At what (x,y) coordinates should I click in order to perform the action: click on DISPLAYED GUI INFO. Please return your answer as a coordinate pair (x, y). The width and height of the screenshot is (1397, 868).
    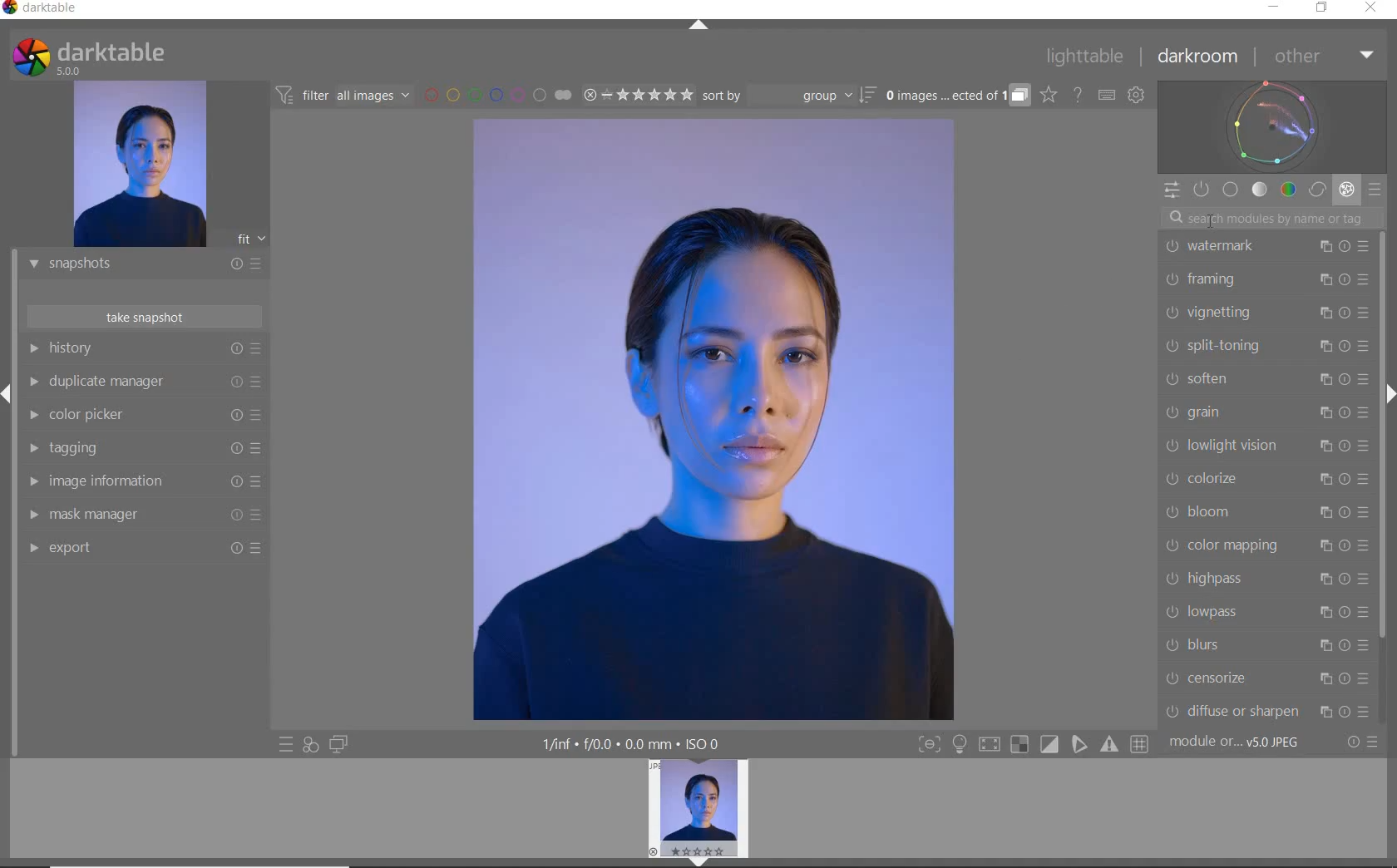
    Looking at the image, I should click on (628, 744).